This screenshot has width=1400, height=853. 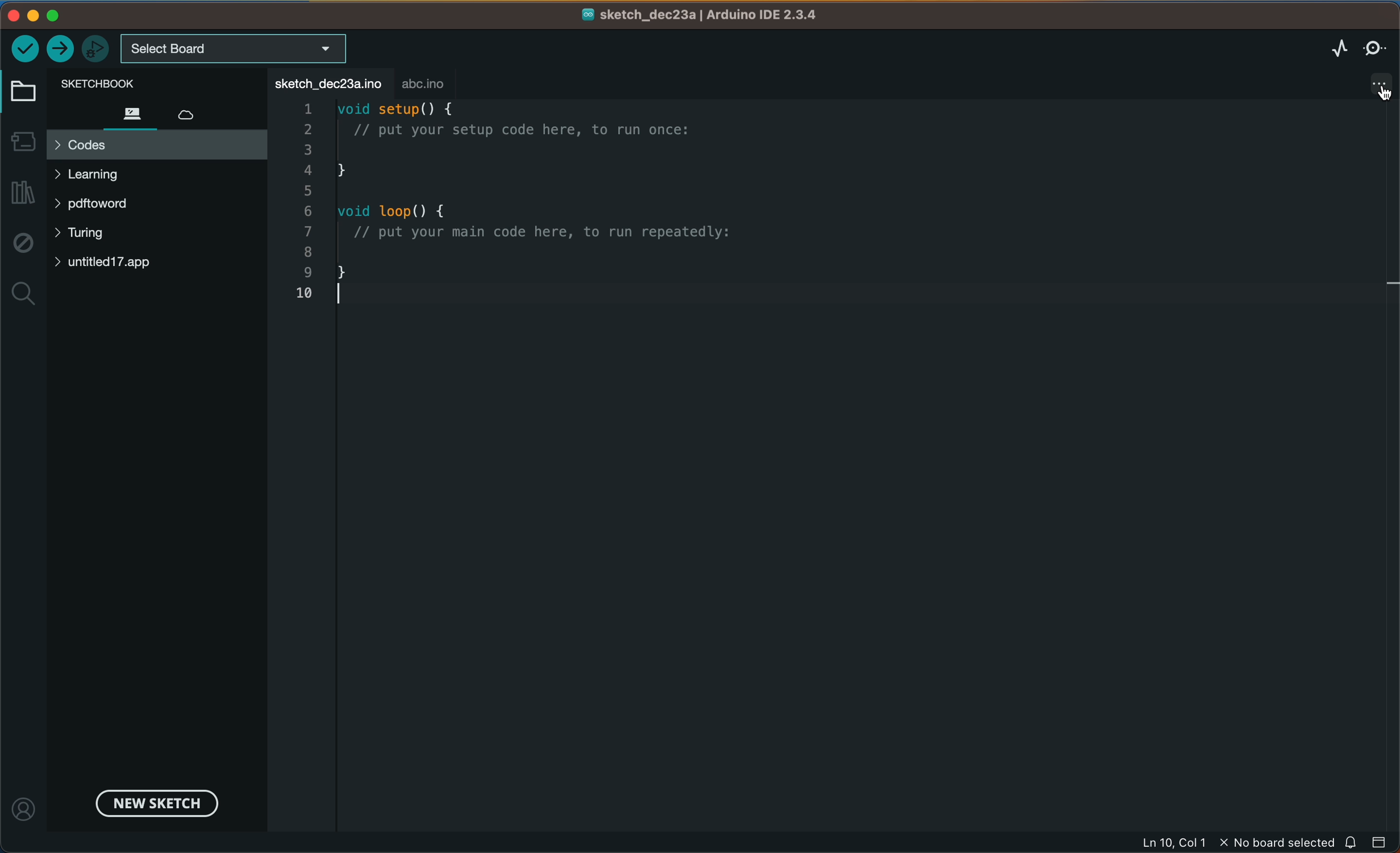 What do you see at coordinates (426, 80) in the screenshot?
I see `abc` at bounding box center [426, 80].